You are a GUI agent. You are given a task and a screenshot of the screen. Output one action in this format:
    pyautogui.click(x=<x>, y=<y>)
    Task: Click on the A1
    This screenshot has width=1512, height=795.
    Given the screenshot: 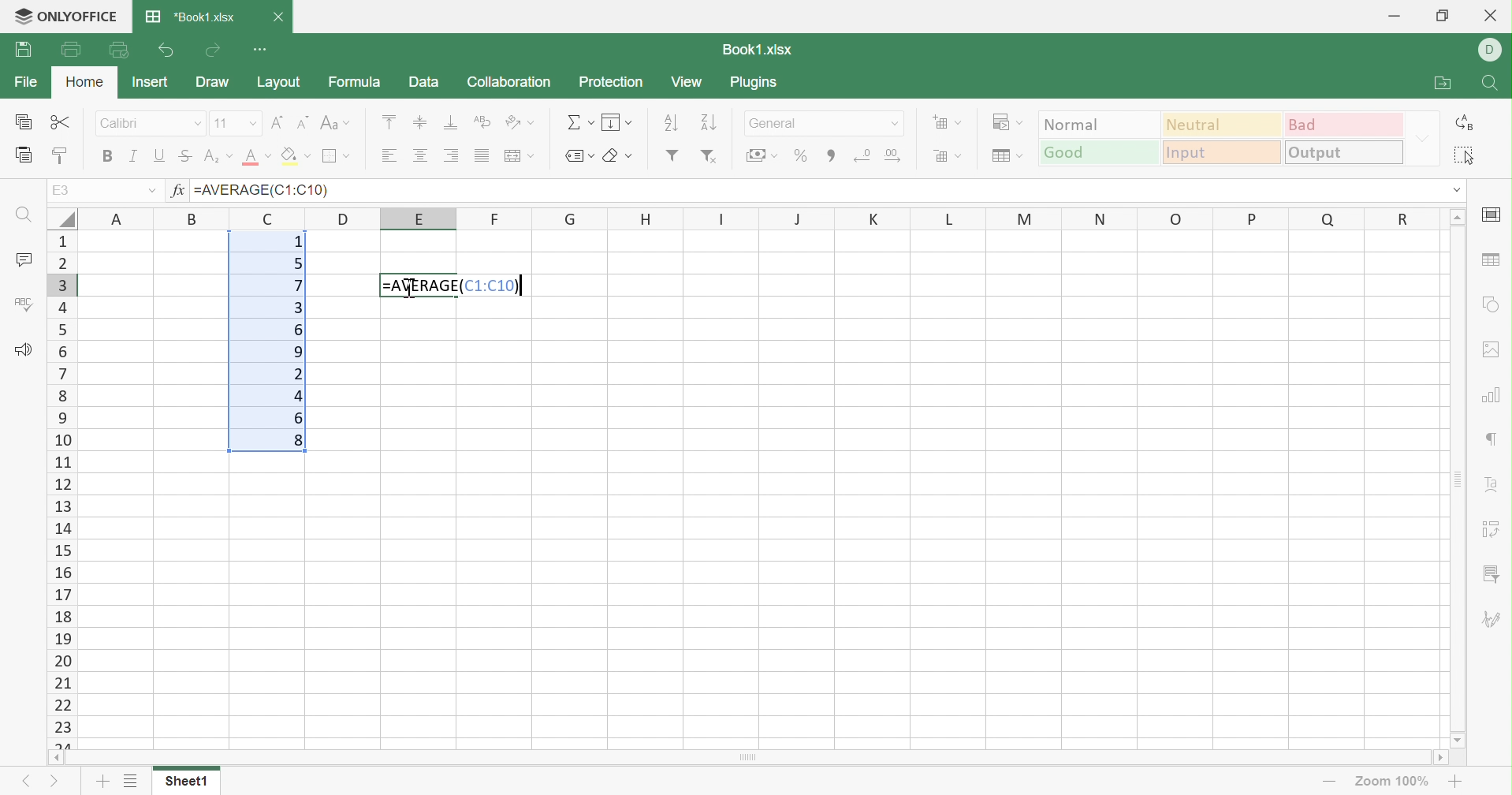 What is the action you would take?
    pyautogui.click(x=62, y=190)
    